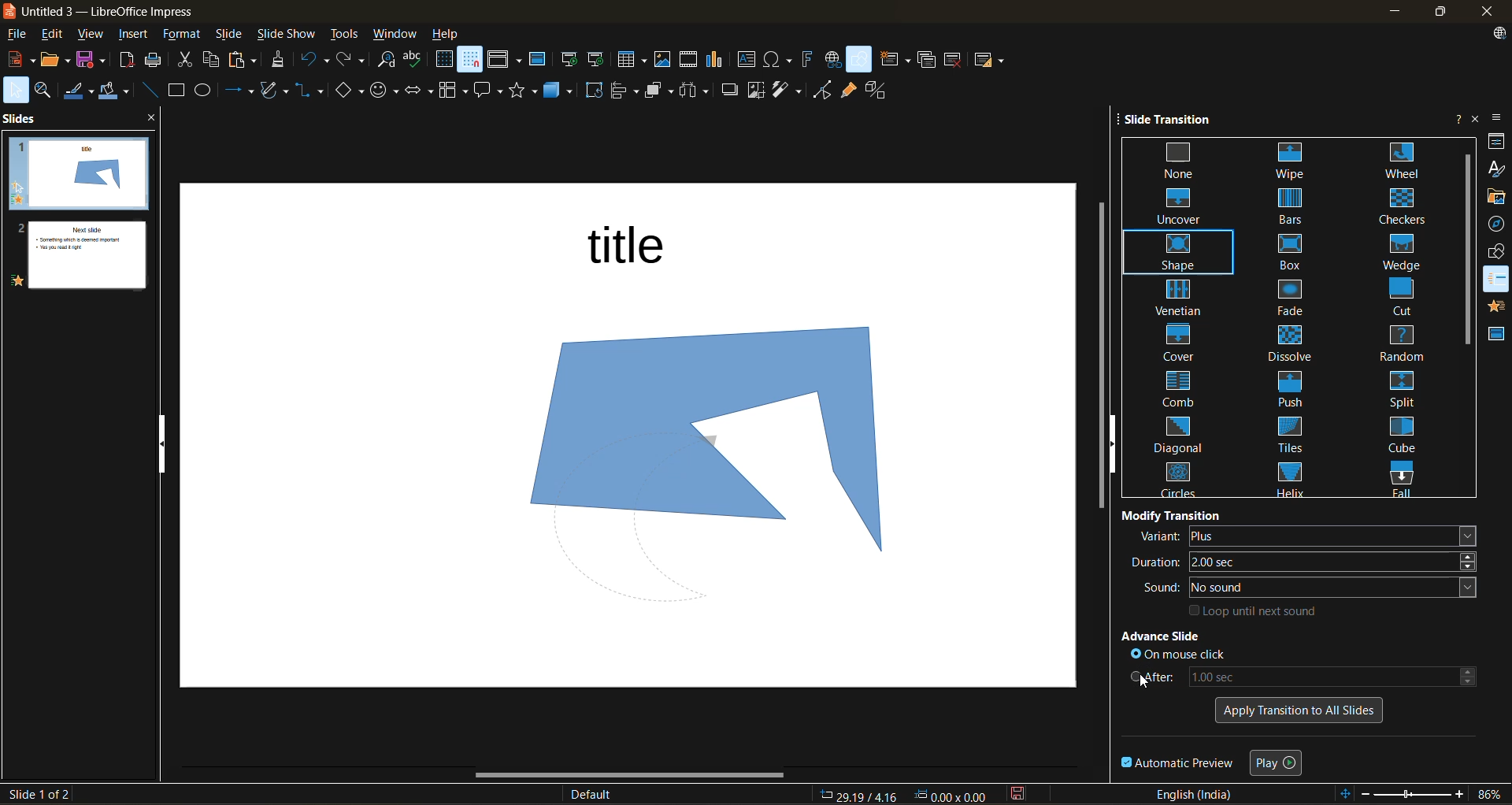 Image resolution: width=1512 pixels, height=805 pixels. I want to click on spelling , so click(418, 58).